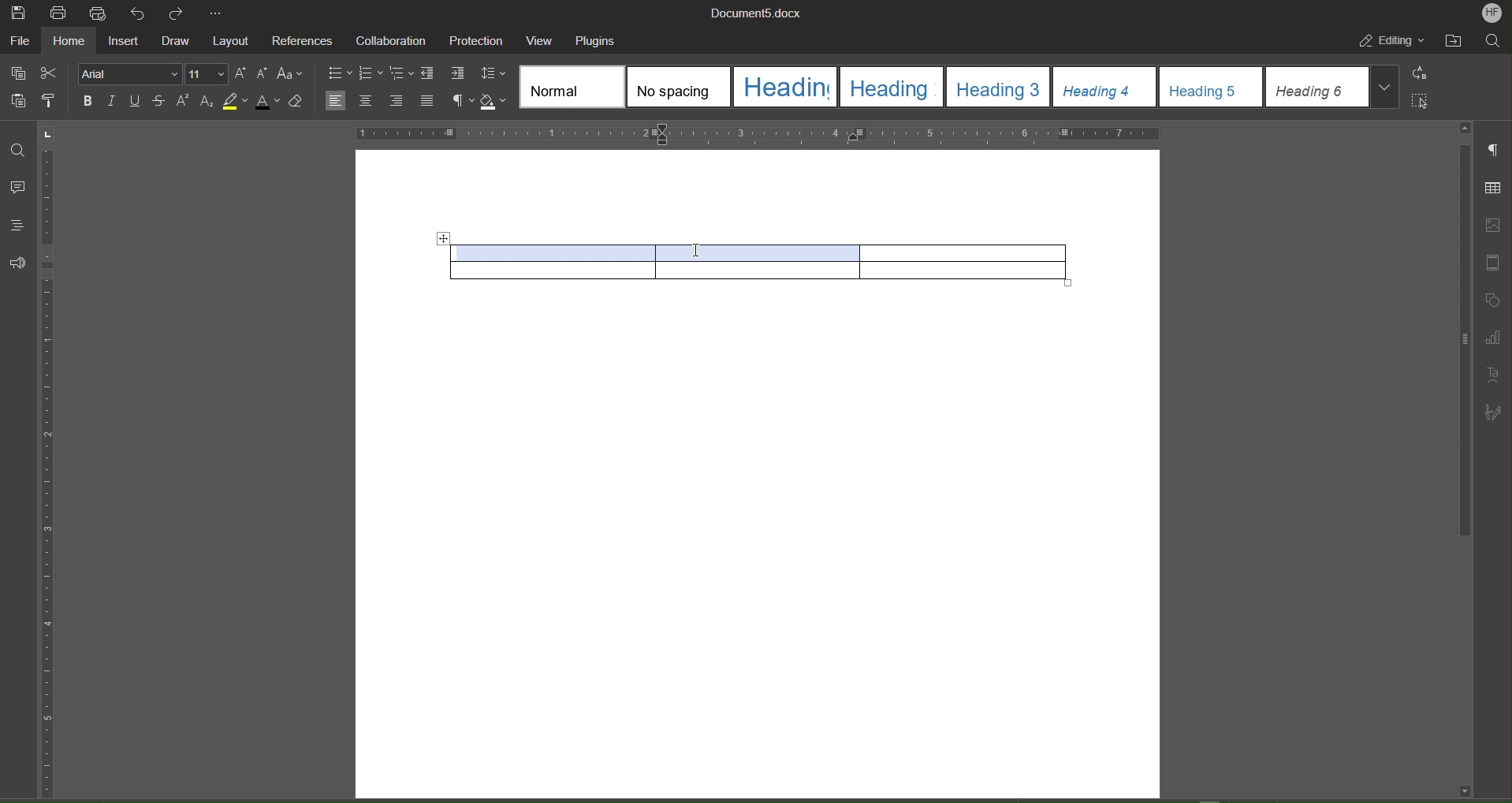  What do you see at coordinates (1495, 301) in the screenshot?
I see `Shape Settings` at bounding box center [1495, 301].